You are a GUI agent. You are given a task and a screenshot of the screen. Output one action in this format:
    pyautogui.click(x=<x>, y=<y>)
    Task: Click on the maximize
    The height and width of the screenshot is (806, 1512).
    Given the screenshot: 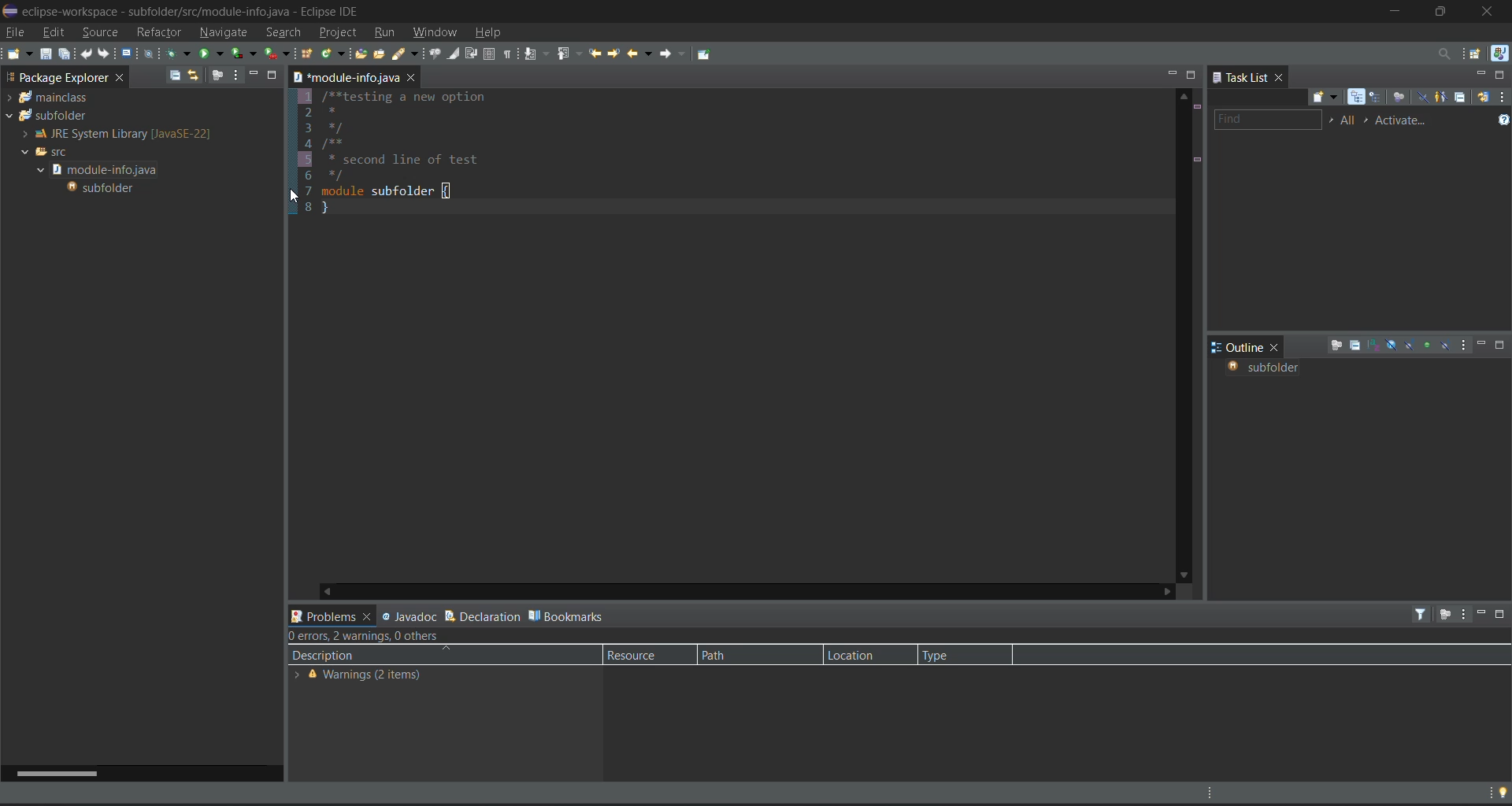 What is the action you would take?
    pyautogui.click(x=1501, y=75)
    